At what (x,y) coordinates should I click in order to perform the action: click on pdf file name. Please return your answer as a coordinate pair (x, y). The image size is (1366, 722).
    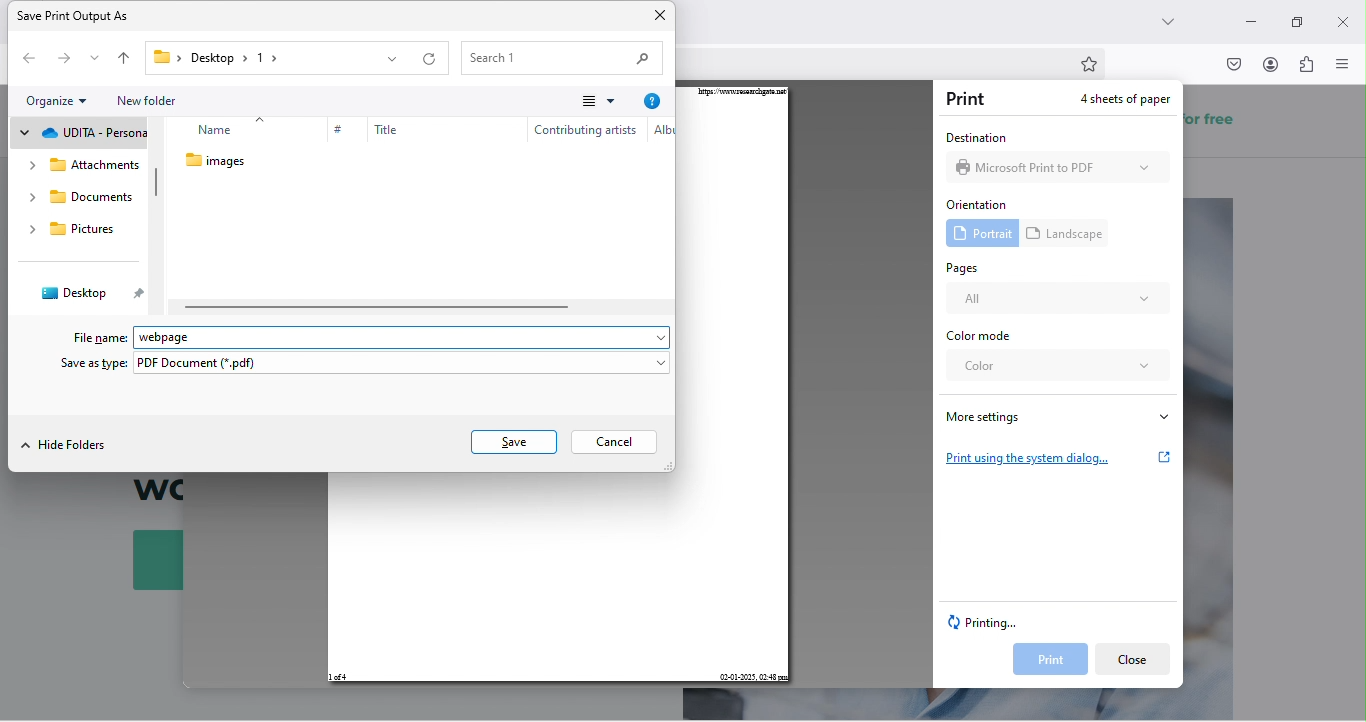
    Looking at the image, I should click on (409, 333).